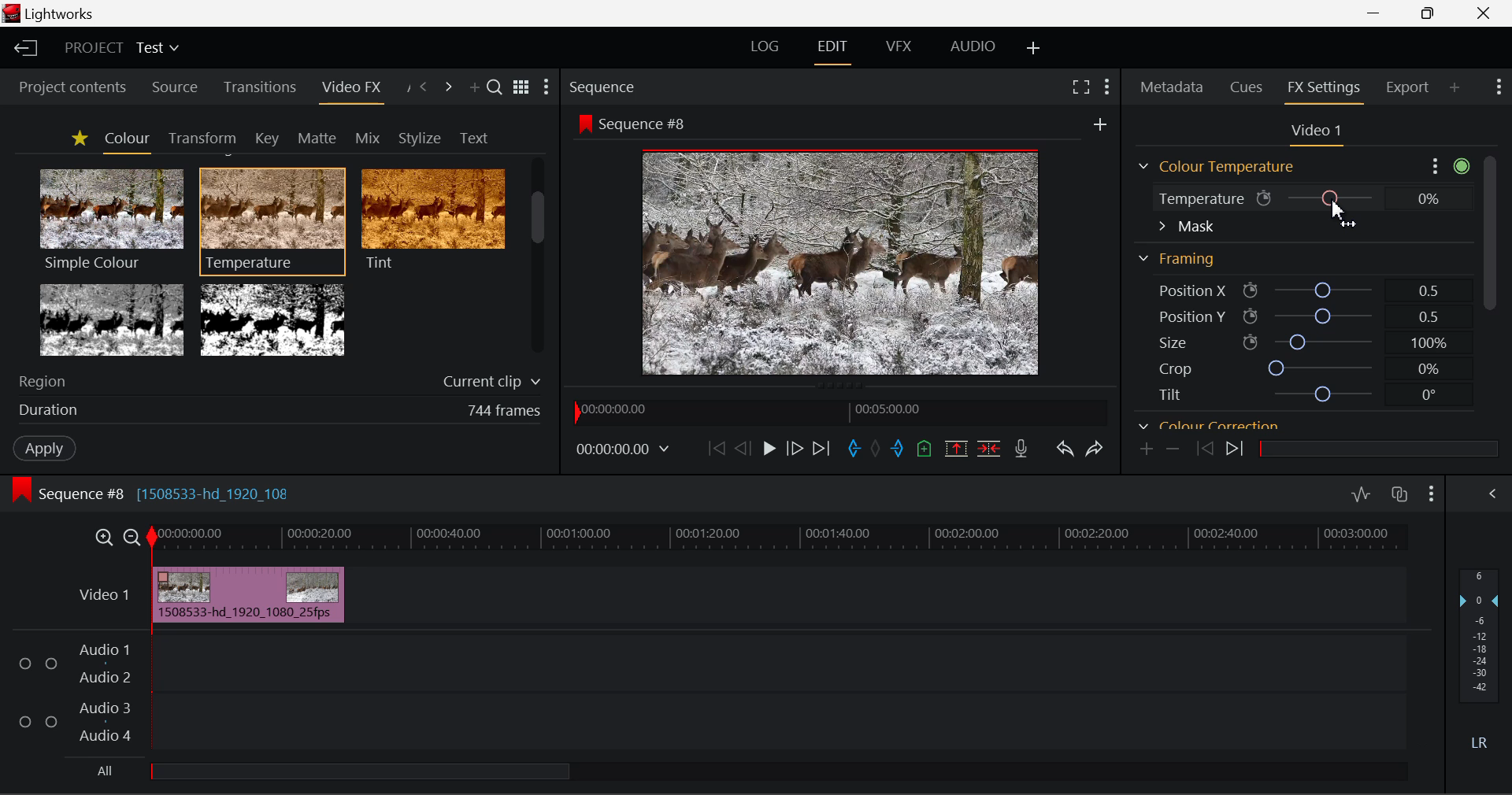  Describe the element at coordinates (113, 319) in the screenshot. I see `Tri-tone` at that location.